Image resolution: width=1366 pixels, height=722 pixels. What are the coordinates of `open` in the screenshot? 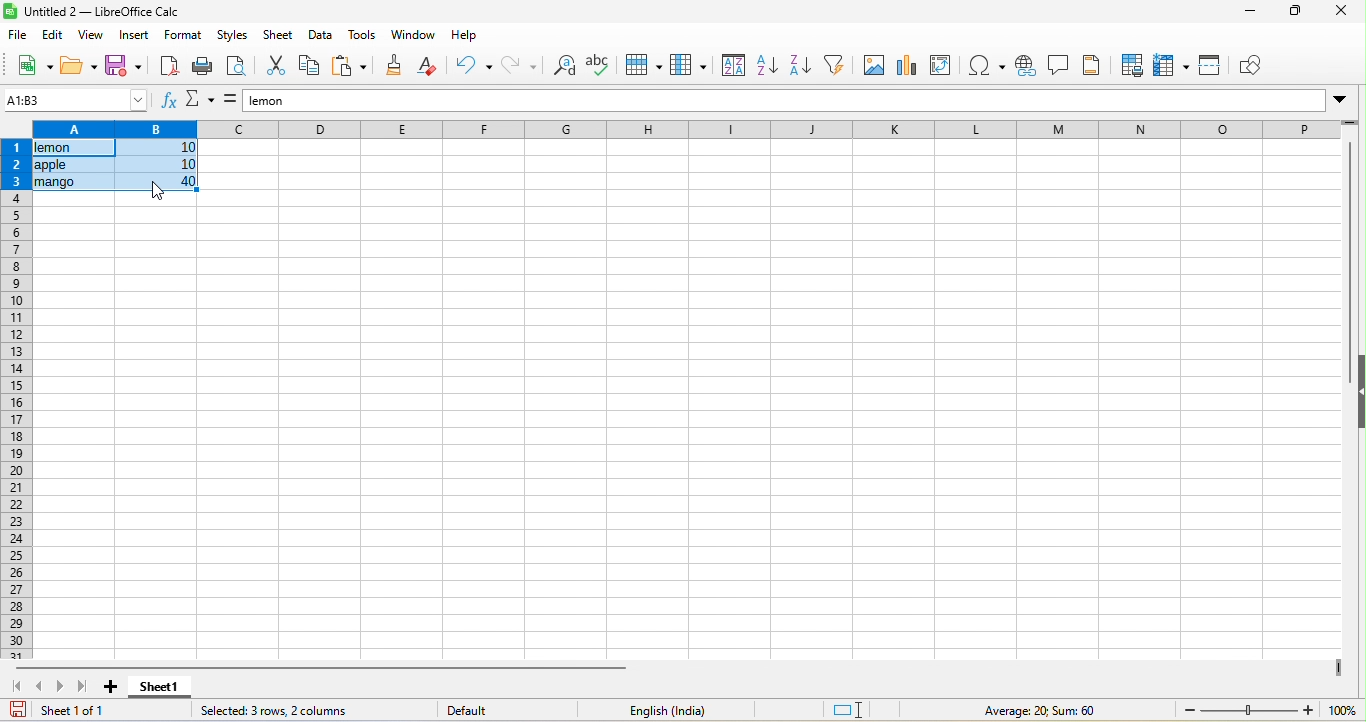 It's located at (77, 66).